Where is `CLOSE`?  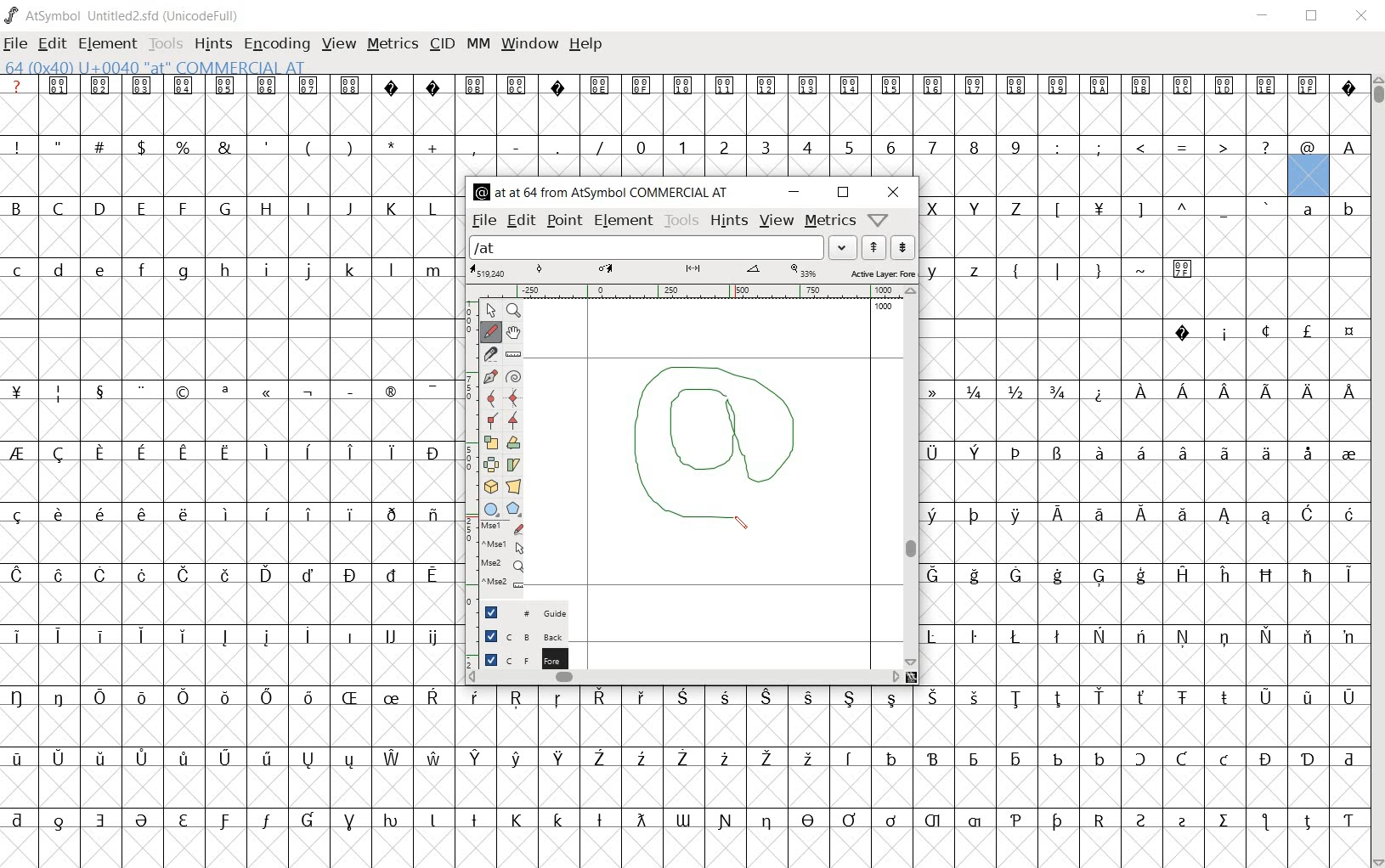
CLOSE is located at coordinates (1363, 18).